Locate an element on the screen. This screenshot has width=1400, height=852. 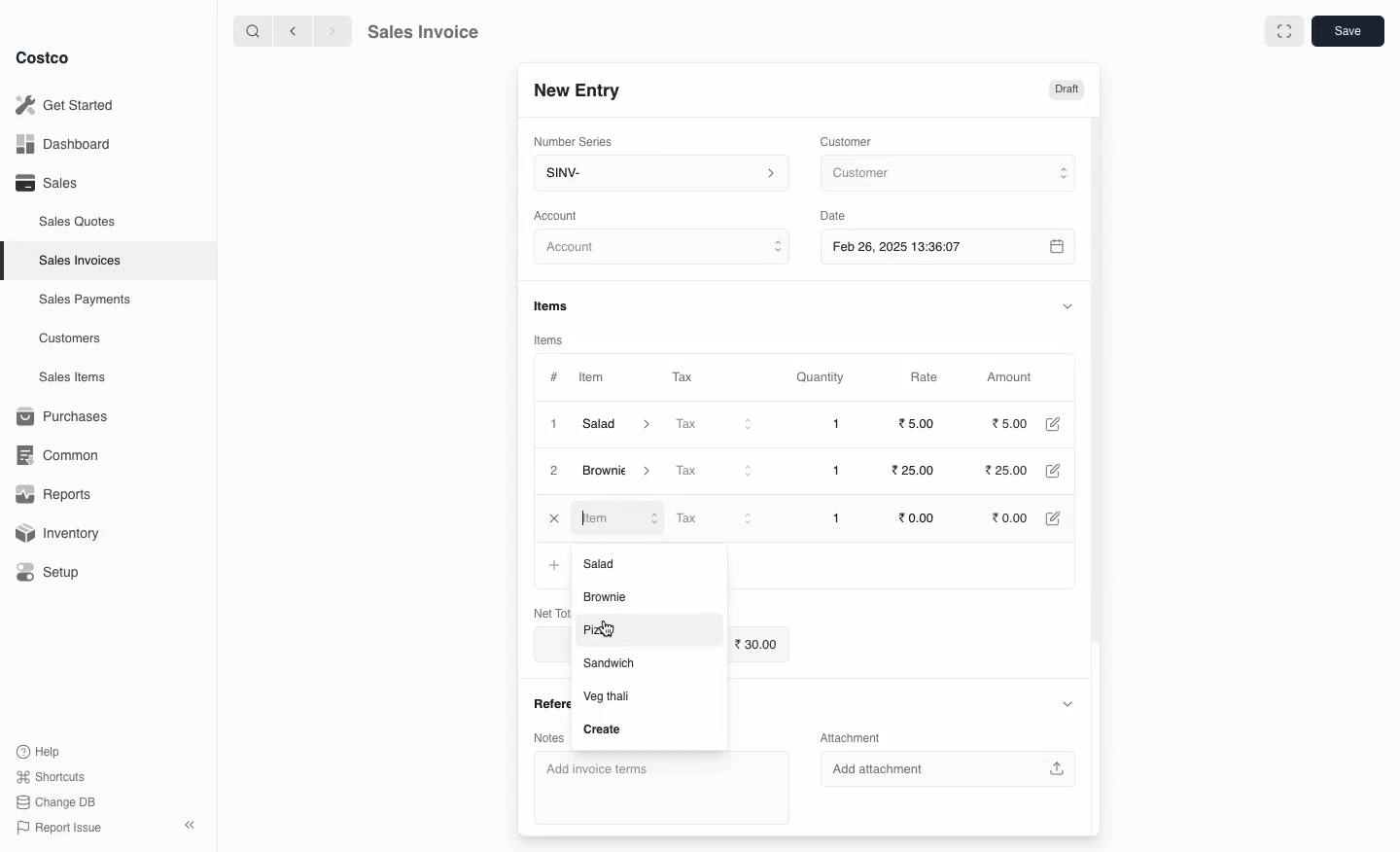
1 is located at coordinates (836, 471).